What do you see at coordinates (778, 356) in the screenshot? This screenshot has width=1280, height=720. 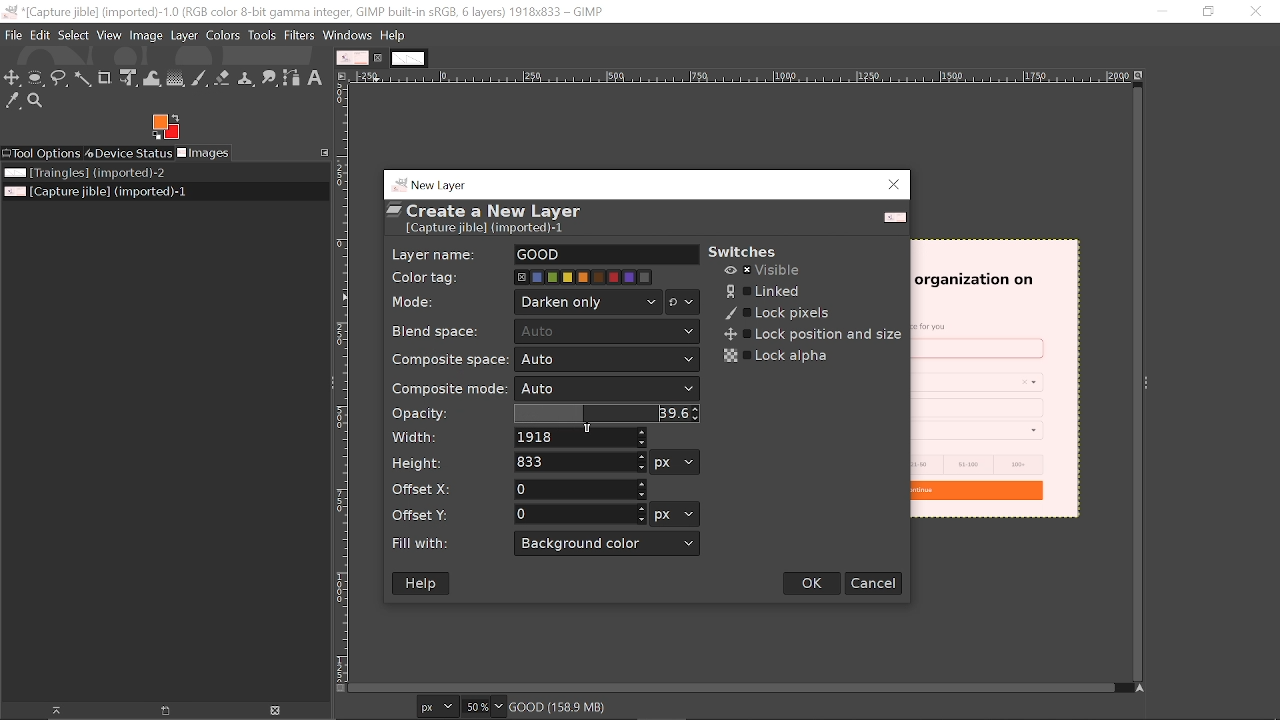 I see `Lock alpha` at bounding box center [778, 356].